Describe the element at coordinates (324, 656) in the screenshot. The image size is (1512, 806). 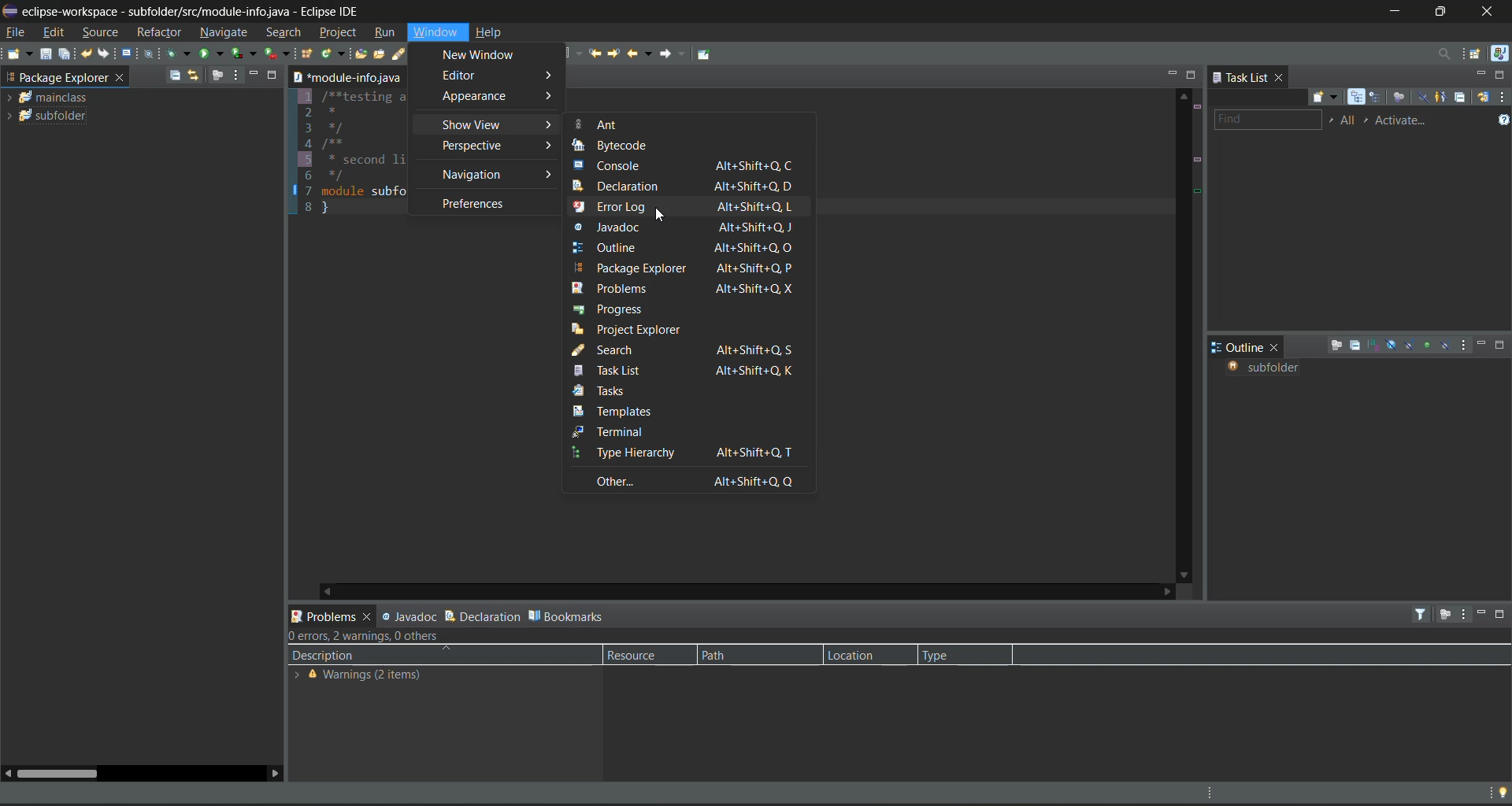
I see `description` at that location.